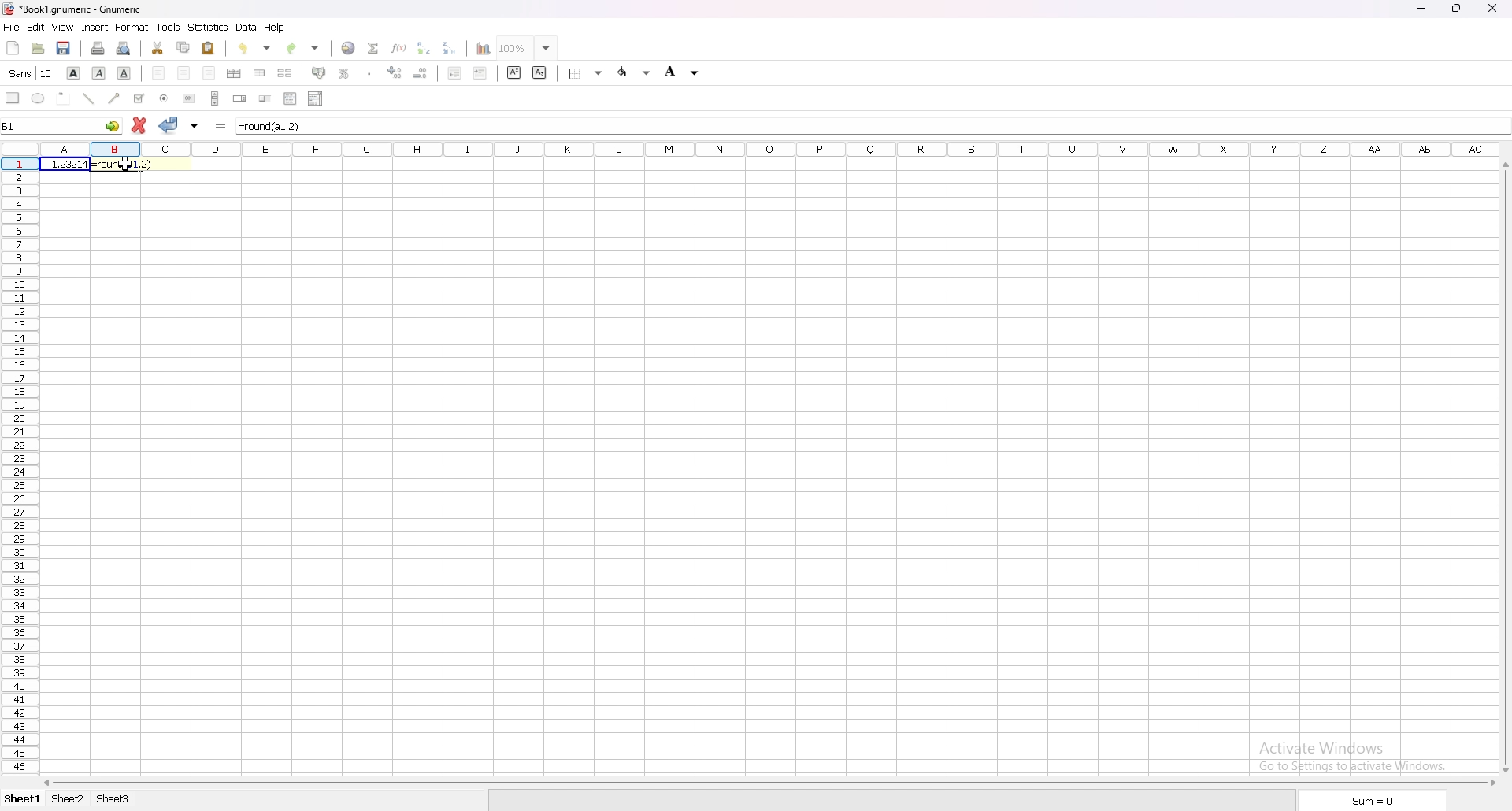  Describe the element at coordinates (98, 48) in the screenshot. I see `print` at that location.